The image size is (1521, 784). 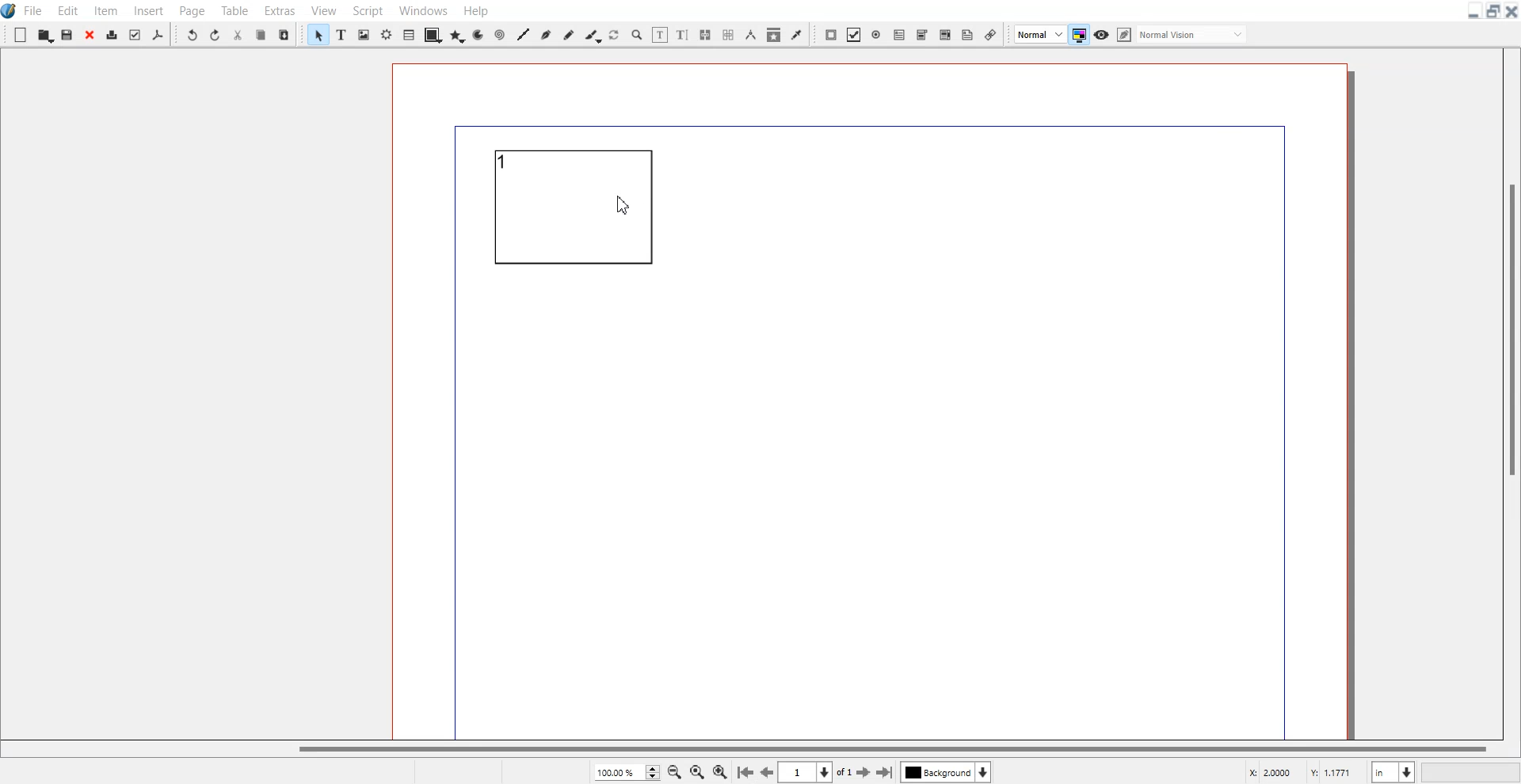 I want to click on Zoom In, so click(x=720, y=771).